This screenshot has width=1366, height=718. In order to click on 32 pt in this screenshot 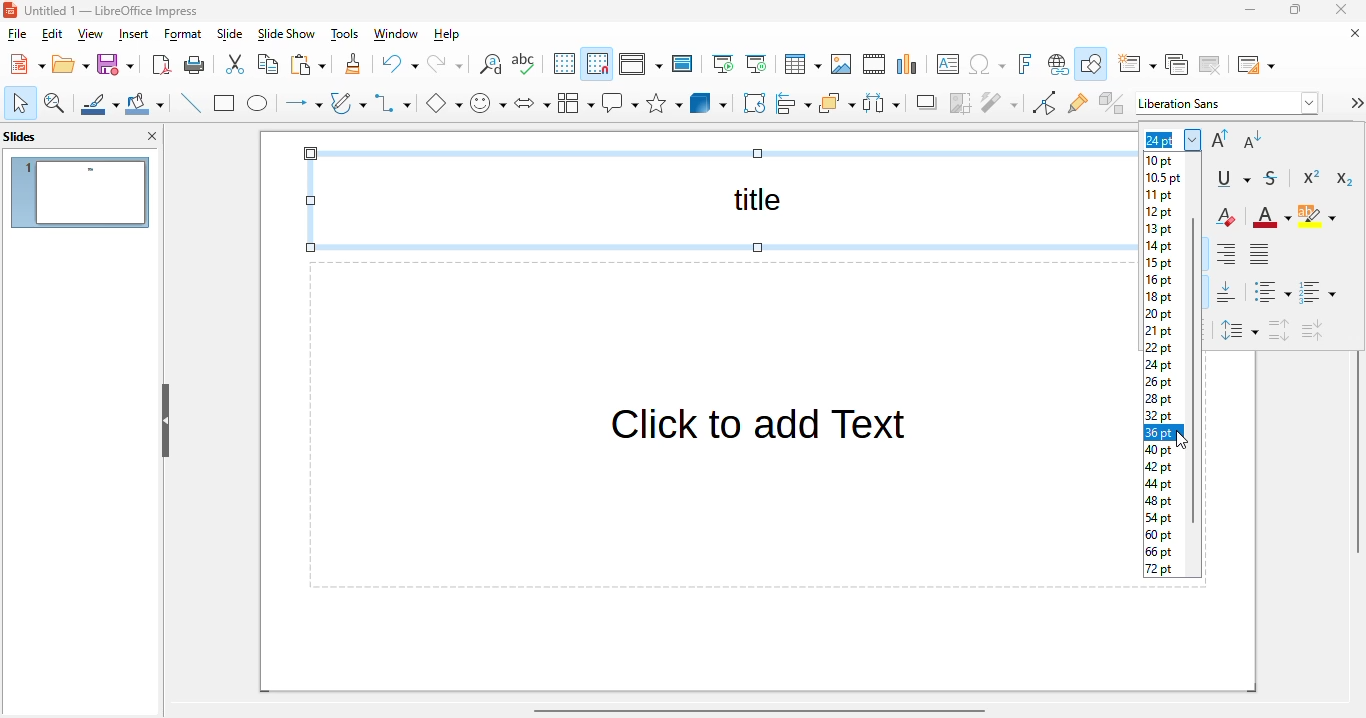, I will do `click(1159, 415)`.